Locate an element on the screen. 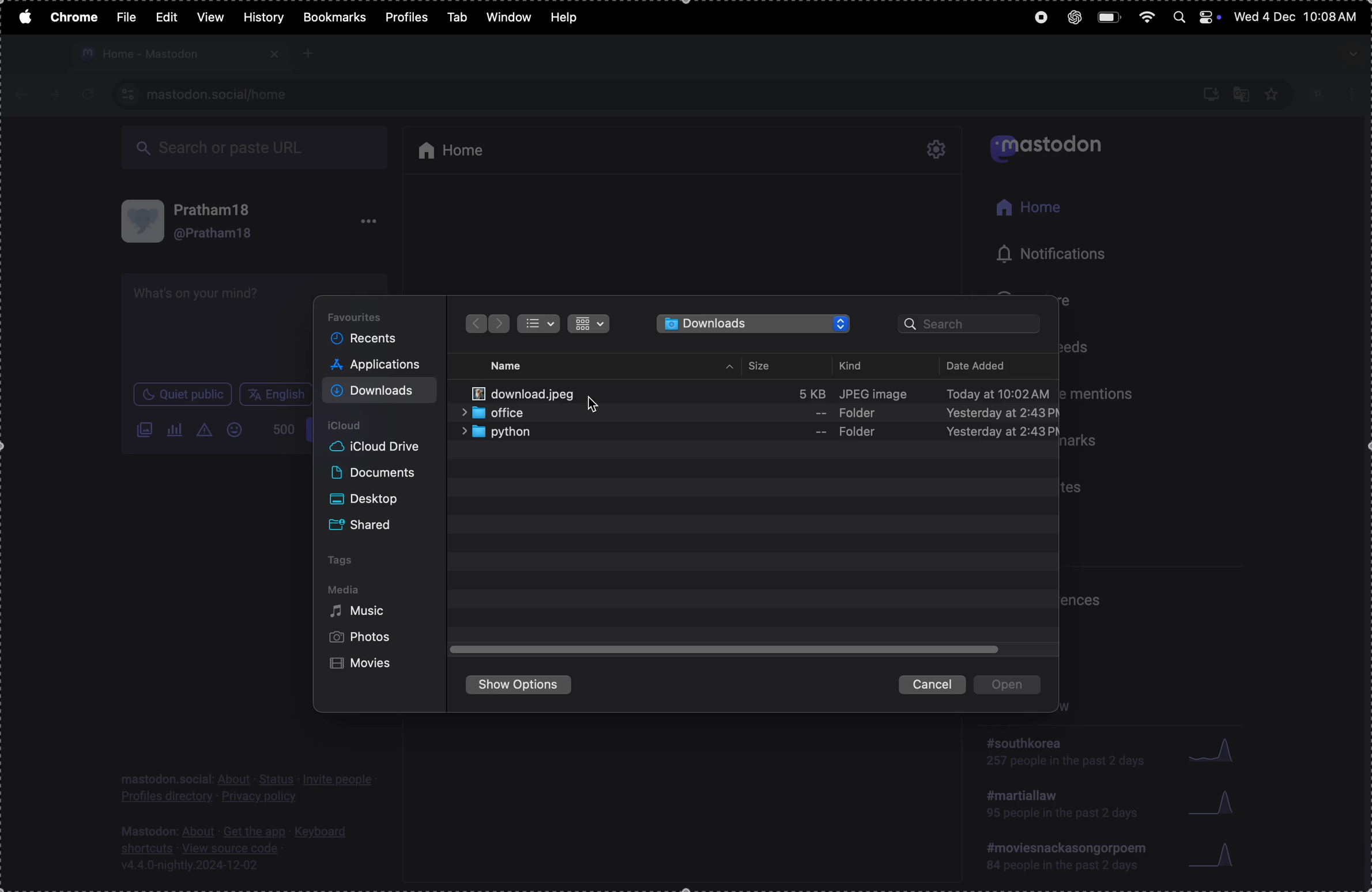 This screenshot has height=892, width=1372. drop up is located at coordinates (730, 368).